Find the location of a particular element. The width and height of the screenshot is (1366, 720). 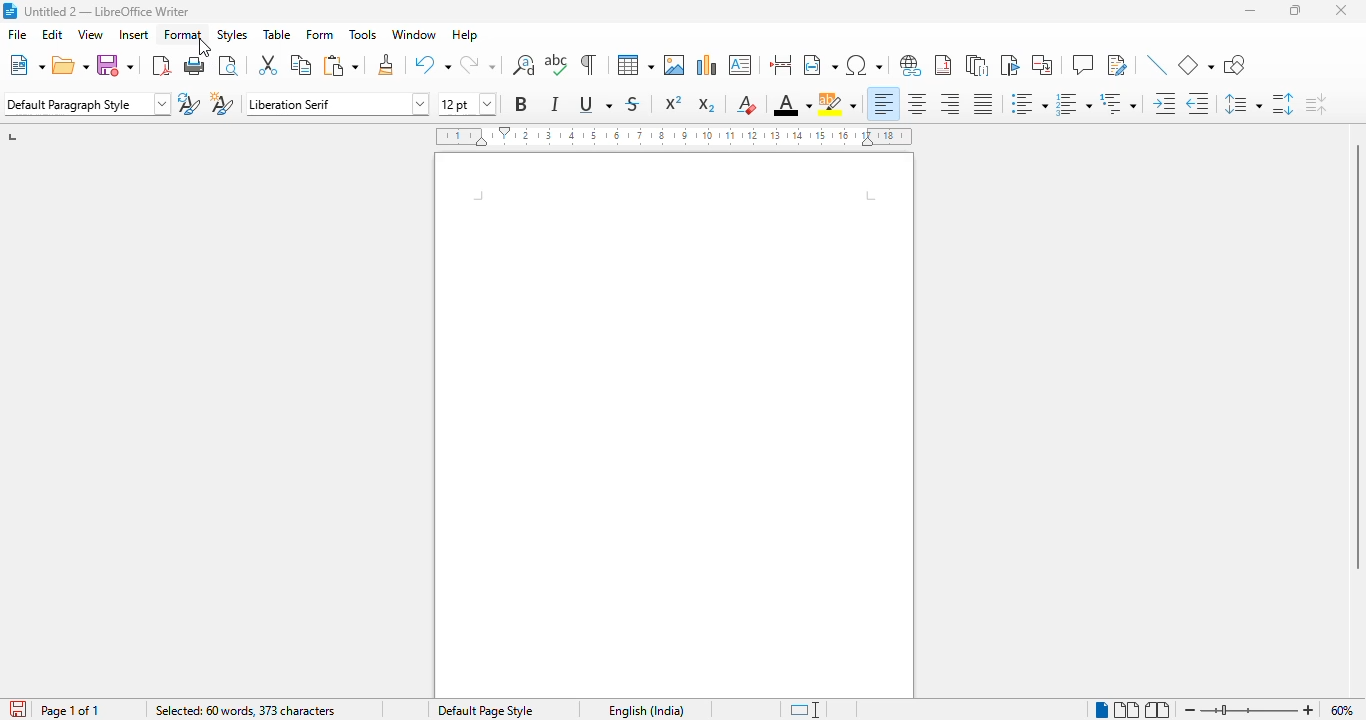

show draw changes functions is located at coordinates (1116, 64).